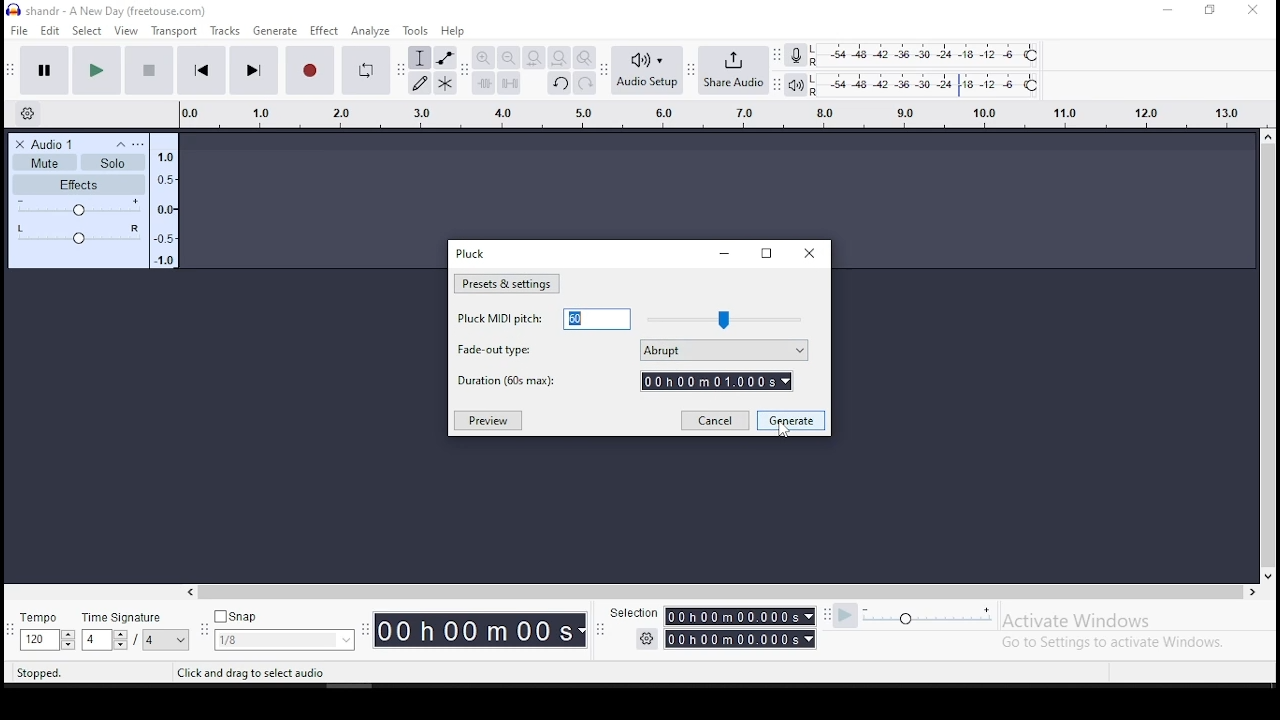  What do you see at coordinates (164, 205) in the screenshot?
I see `timeline` at bounding box center [164, 205].